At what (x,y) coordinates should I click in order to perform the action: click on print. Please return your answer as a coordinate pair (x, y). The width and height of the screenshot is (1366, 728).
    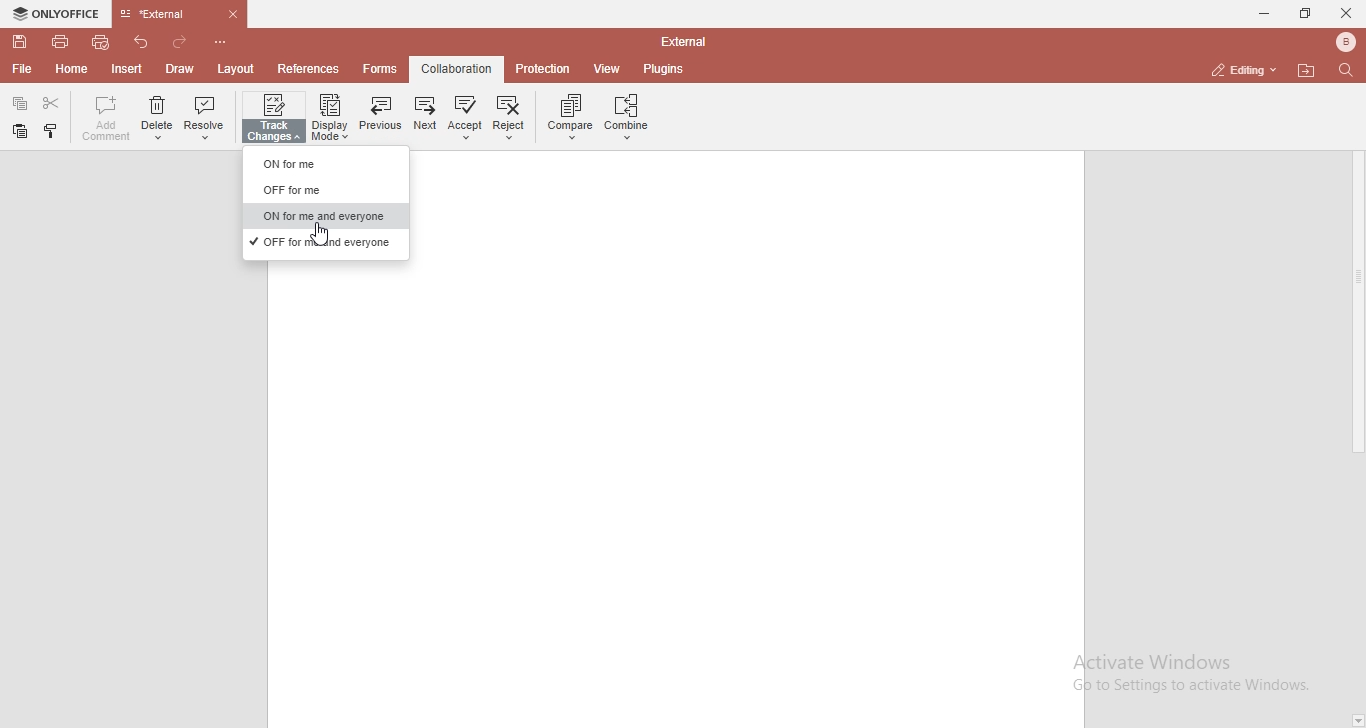
    Looking at the image, I should click on (61, 44).